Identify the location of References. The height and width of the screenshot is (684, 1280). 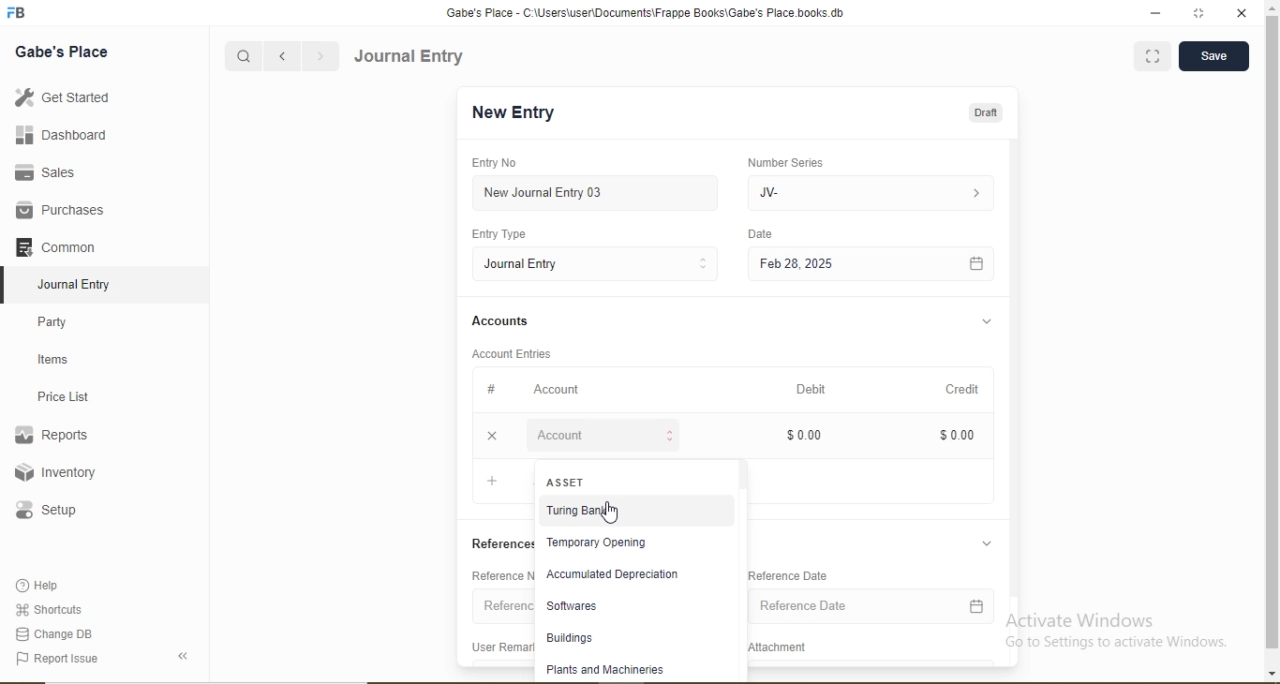
(501, 543).